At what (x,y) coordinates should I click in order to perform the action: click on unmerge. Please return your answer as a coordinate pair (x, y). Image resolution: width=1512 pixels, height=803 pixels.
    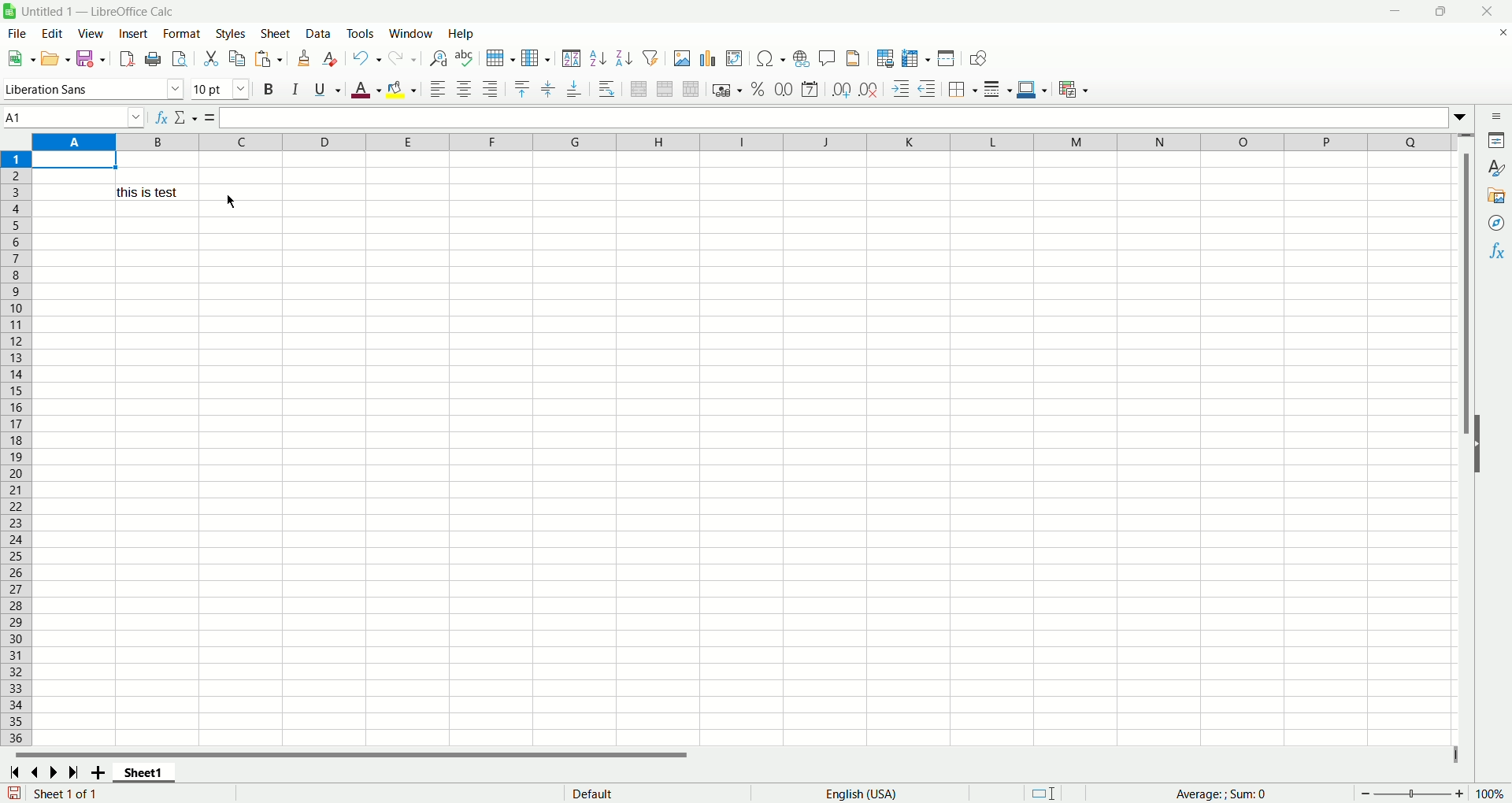
    Looking at the image, I should click on (691, 89).